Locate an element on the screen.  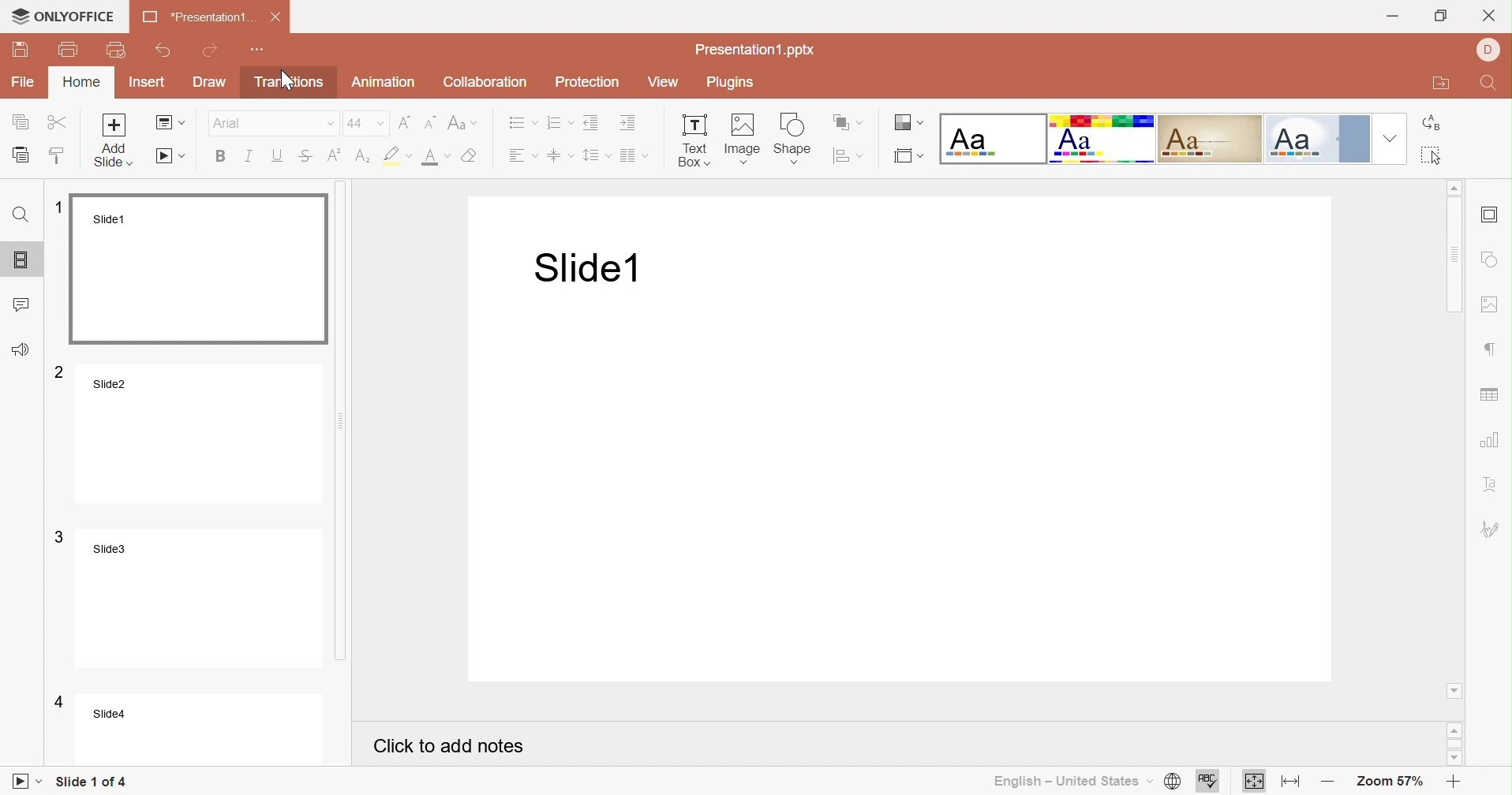
Horizontal align is located at coordinates (520, 158).